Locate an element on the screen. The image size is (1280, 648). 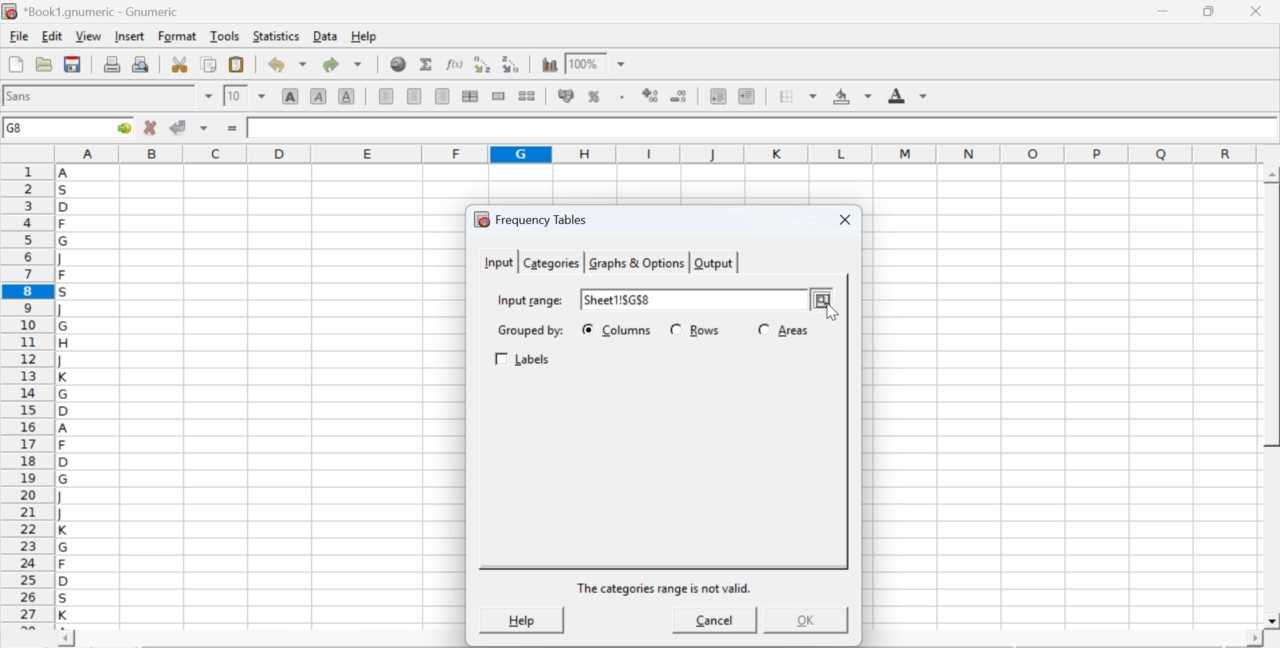
background is located at coordinates (854, 96).